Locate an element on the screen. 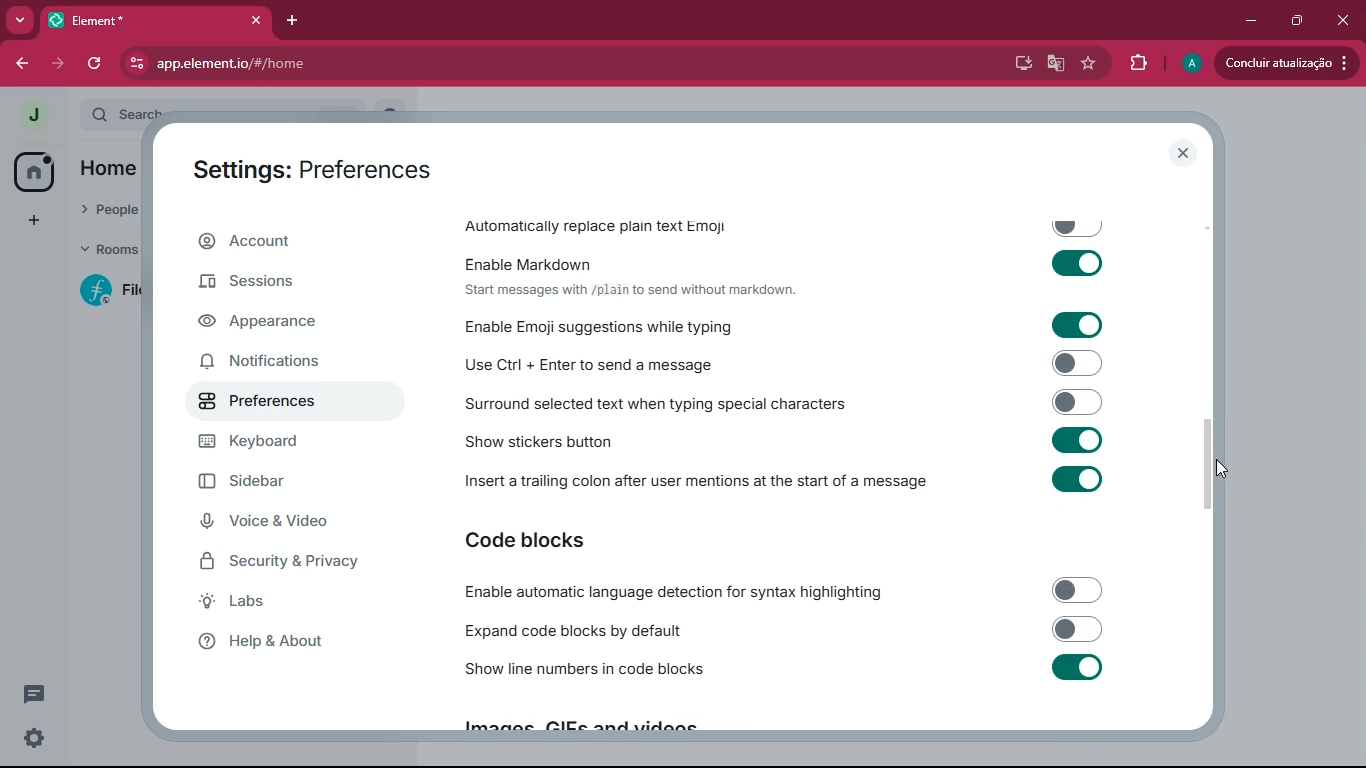 This screenshot has width=1366, height=768. more is located at coordinates (21, 20).